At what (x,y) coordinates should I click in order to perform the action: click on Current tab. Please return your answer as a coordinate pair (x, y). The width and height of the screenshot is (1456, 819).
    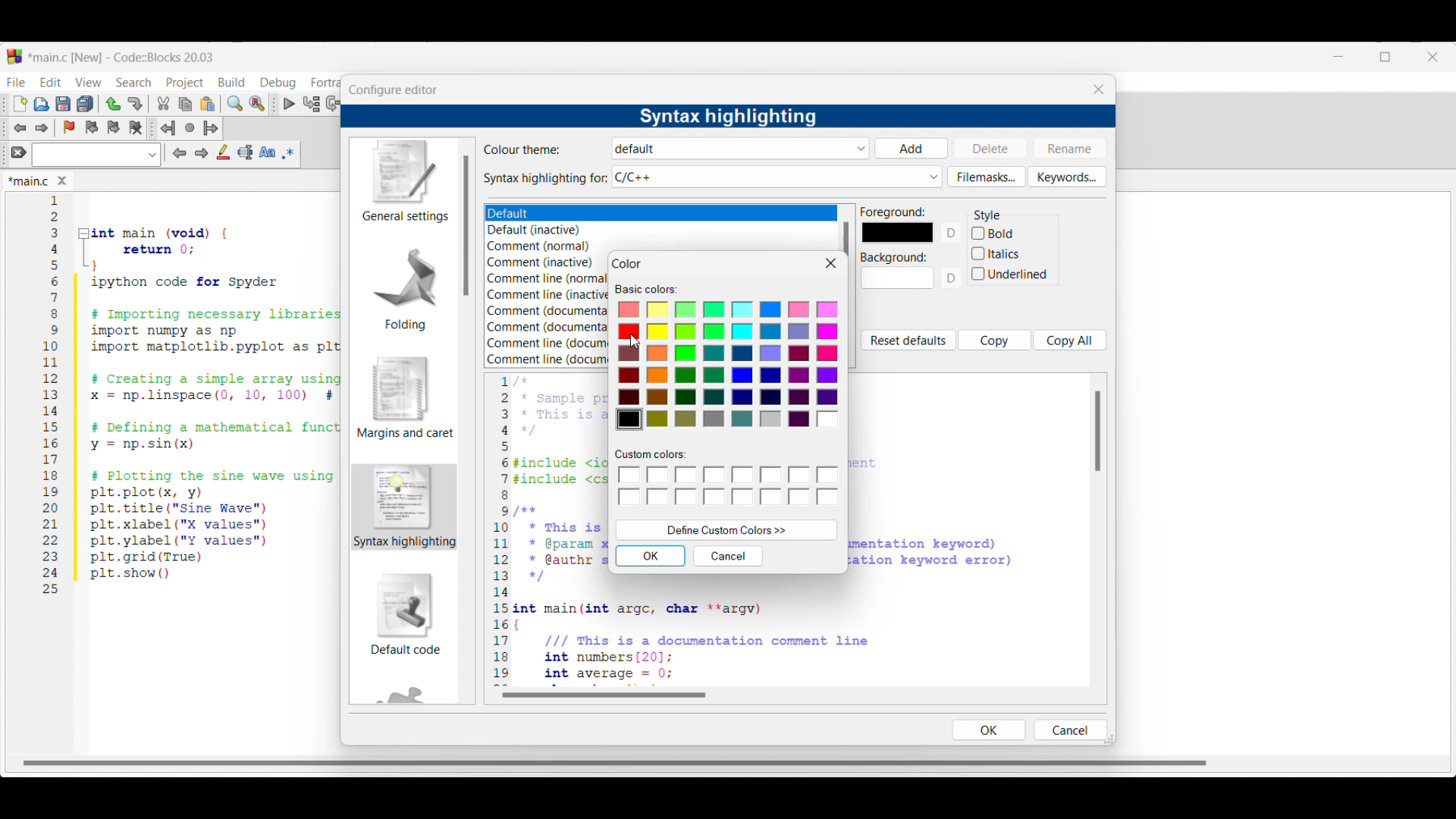
    Looking at the image, I should click on (29, 182).